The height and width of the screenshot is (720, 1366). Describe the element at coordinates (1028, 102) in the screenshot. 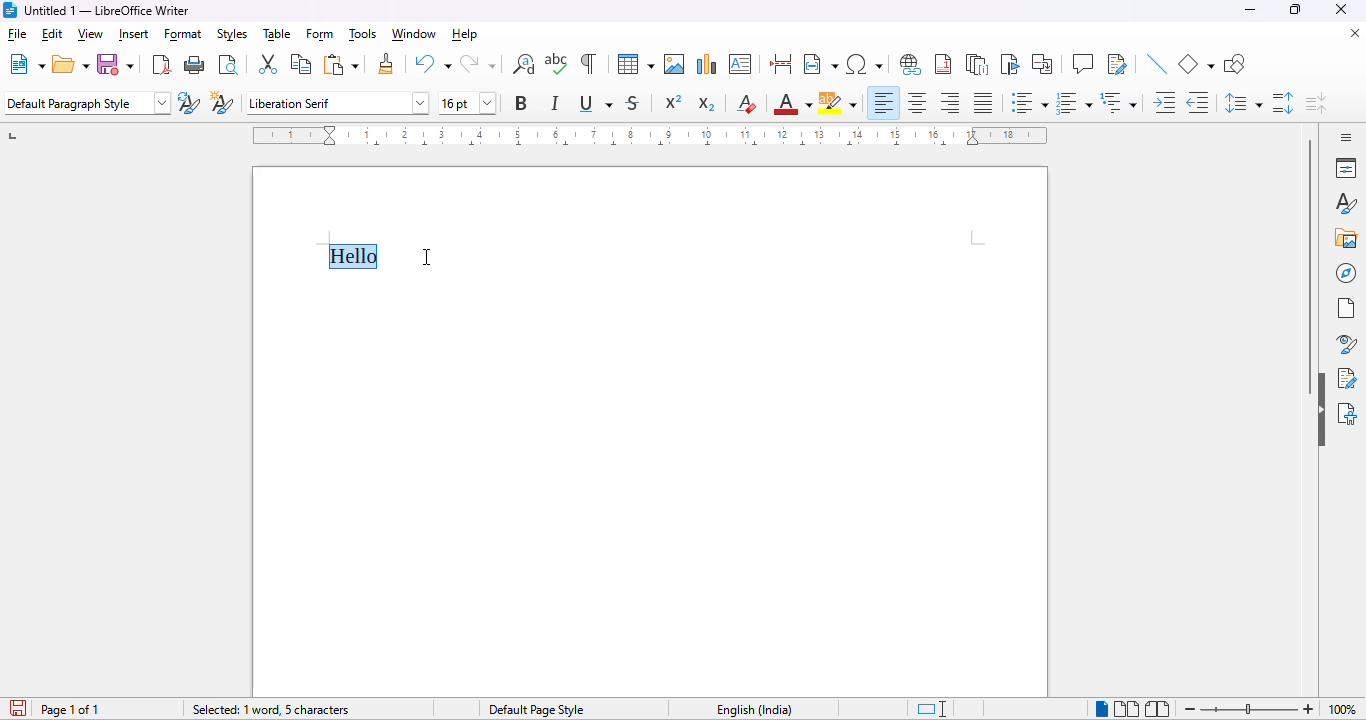

I see `toggle unordered list` at that location.